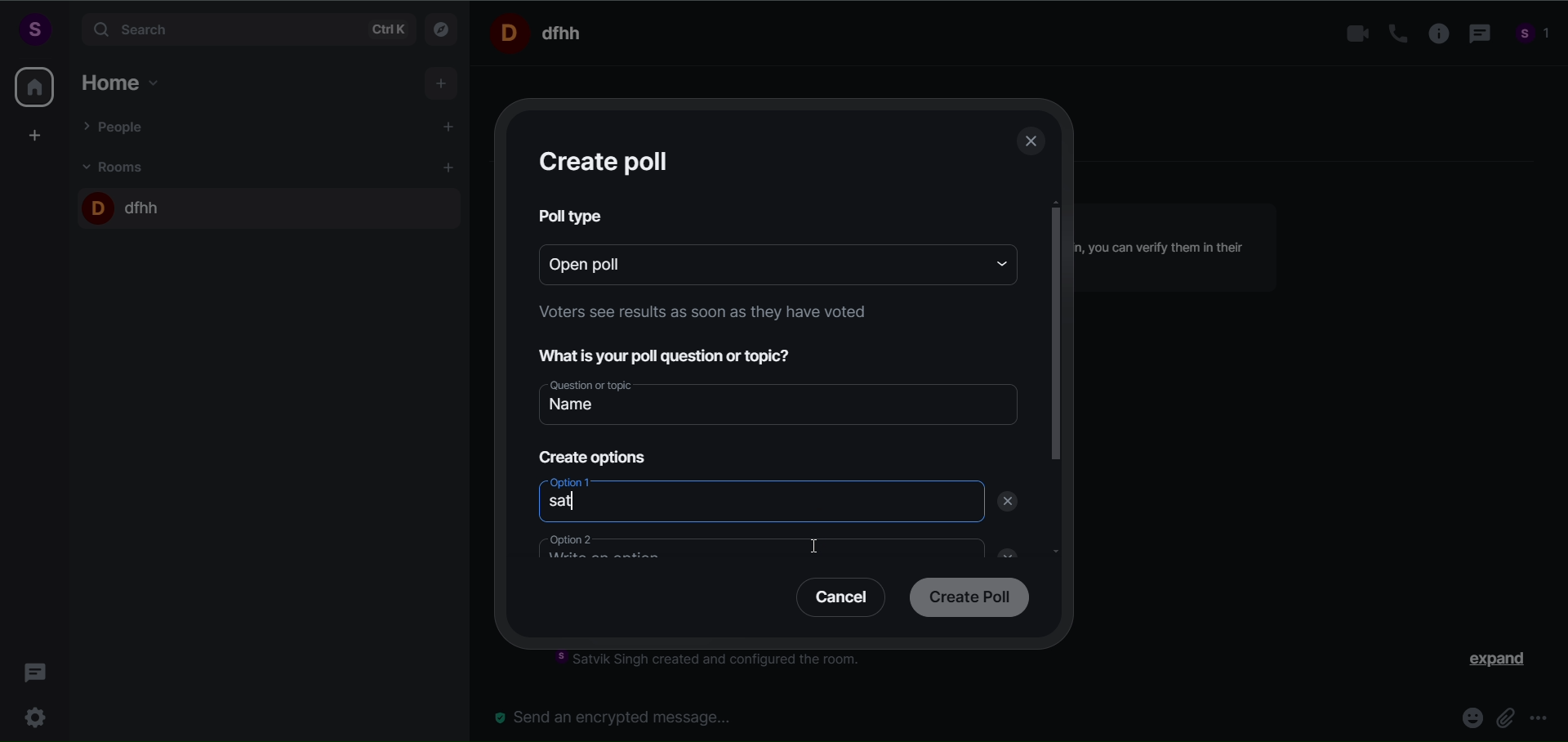 The height and width of the screenshot is (742, 1568). I want to click on people, so click(1534, 36).